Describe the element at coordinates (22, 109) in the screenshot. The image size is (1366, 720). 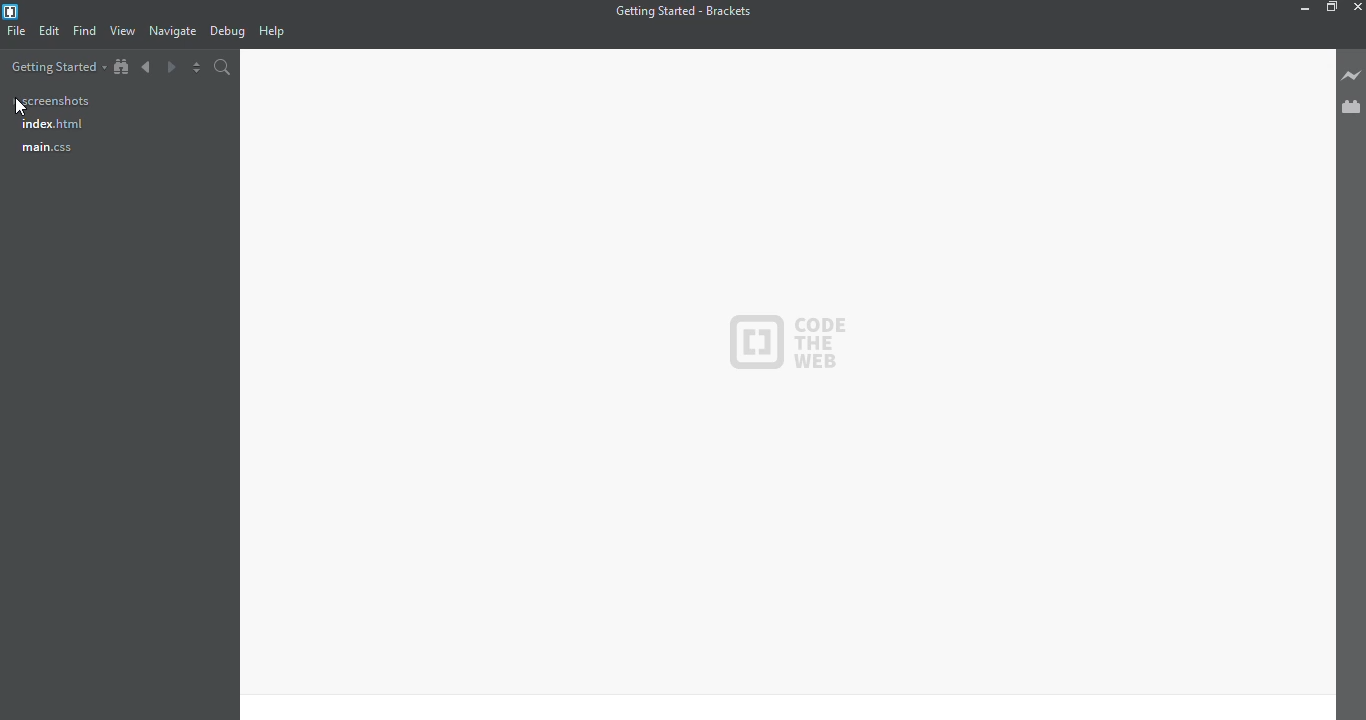
I see `cursor` at that location.